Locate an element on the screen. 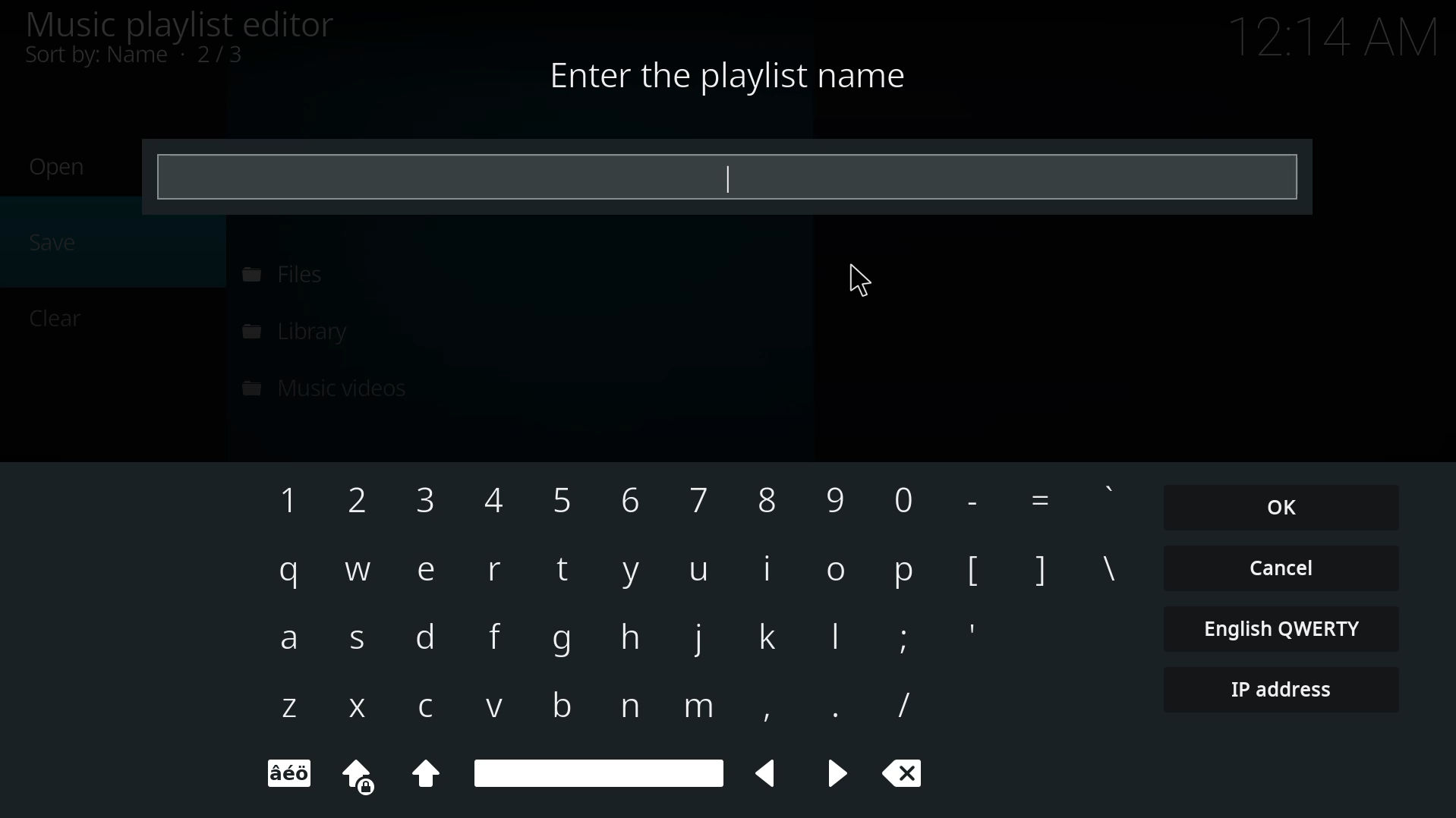 This screenshot has height=818, width=1456. qwerty is located at coordinates (1284, 627).